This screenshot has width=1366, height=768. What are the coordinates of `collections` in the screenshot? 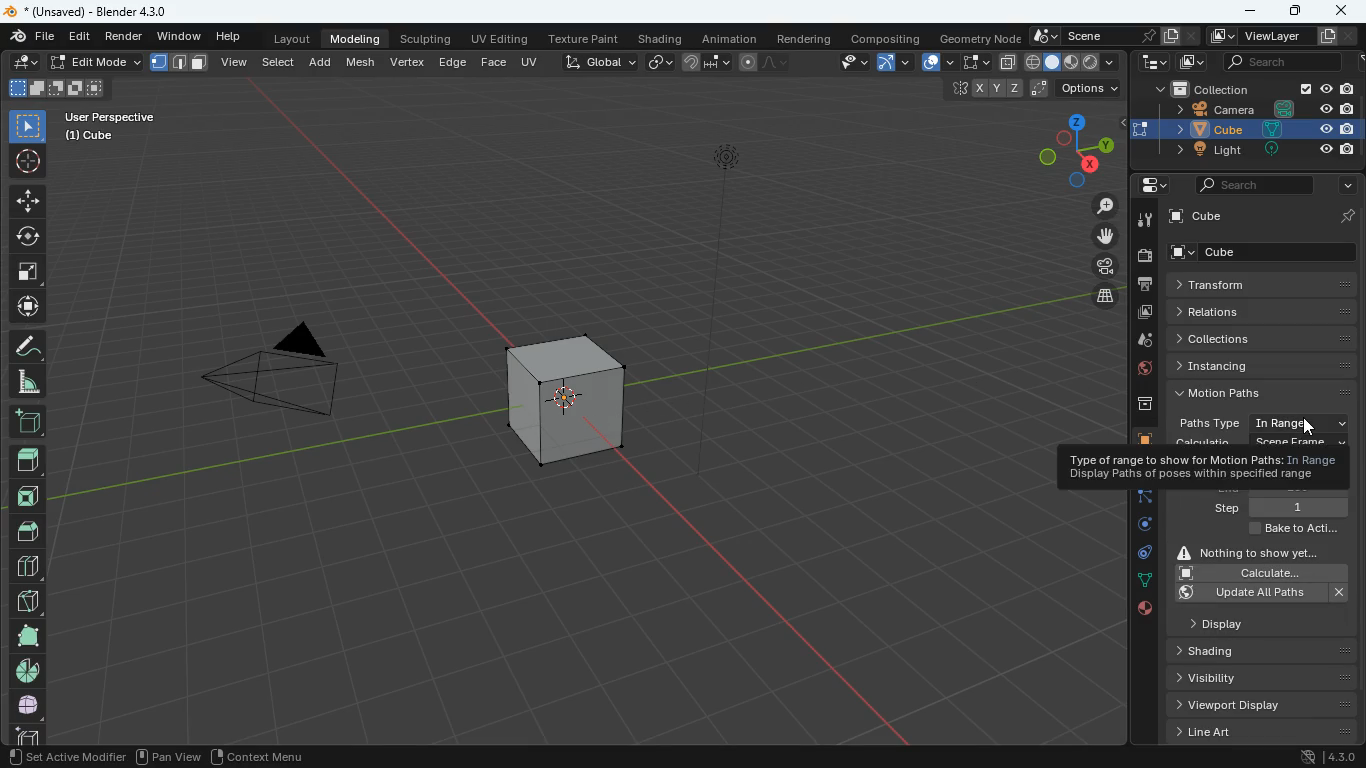 It's located at (1266, 338).